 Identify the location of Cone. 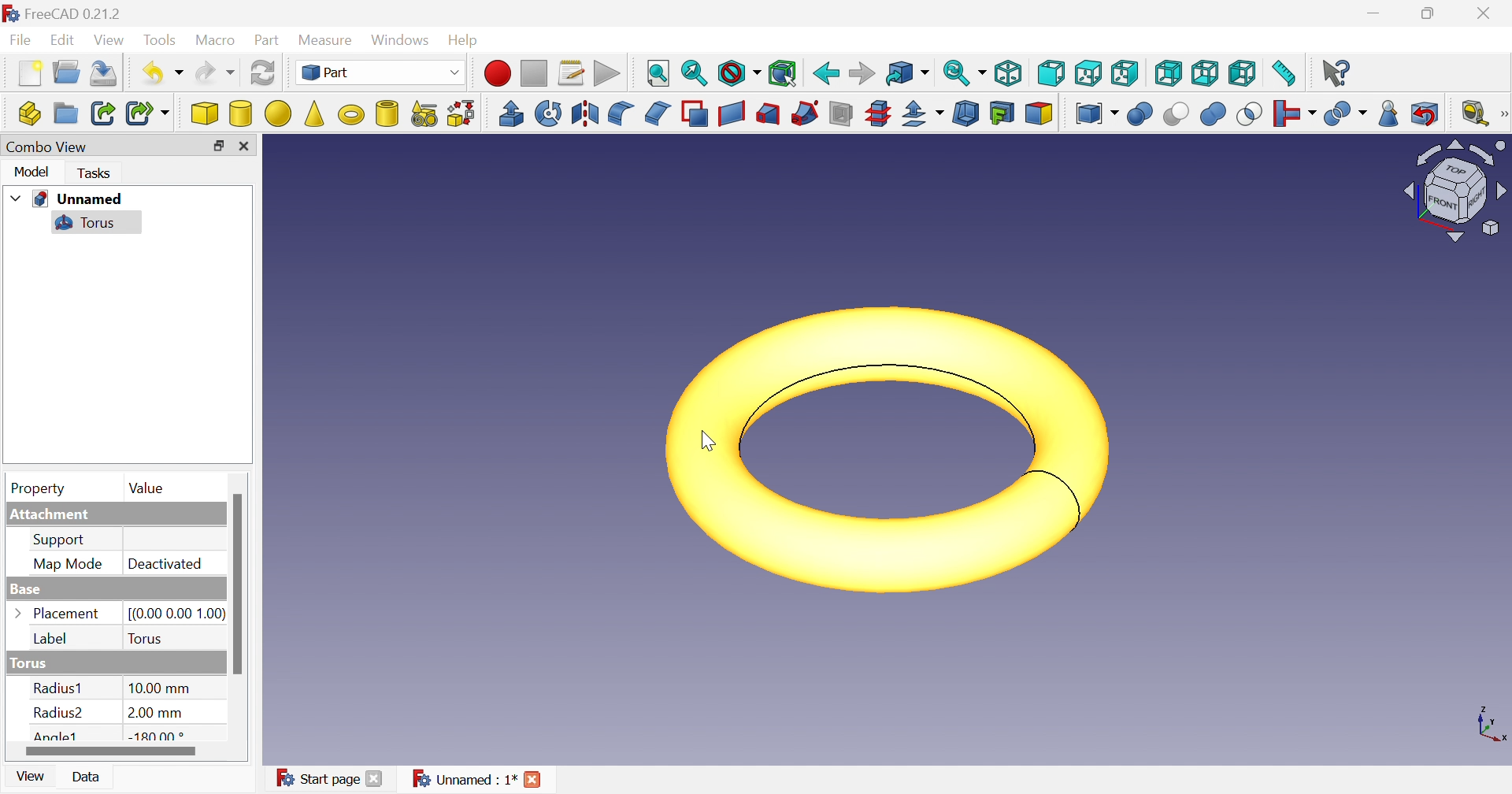
(314, 114).